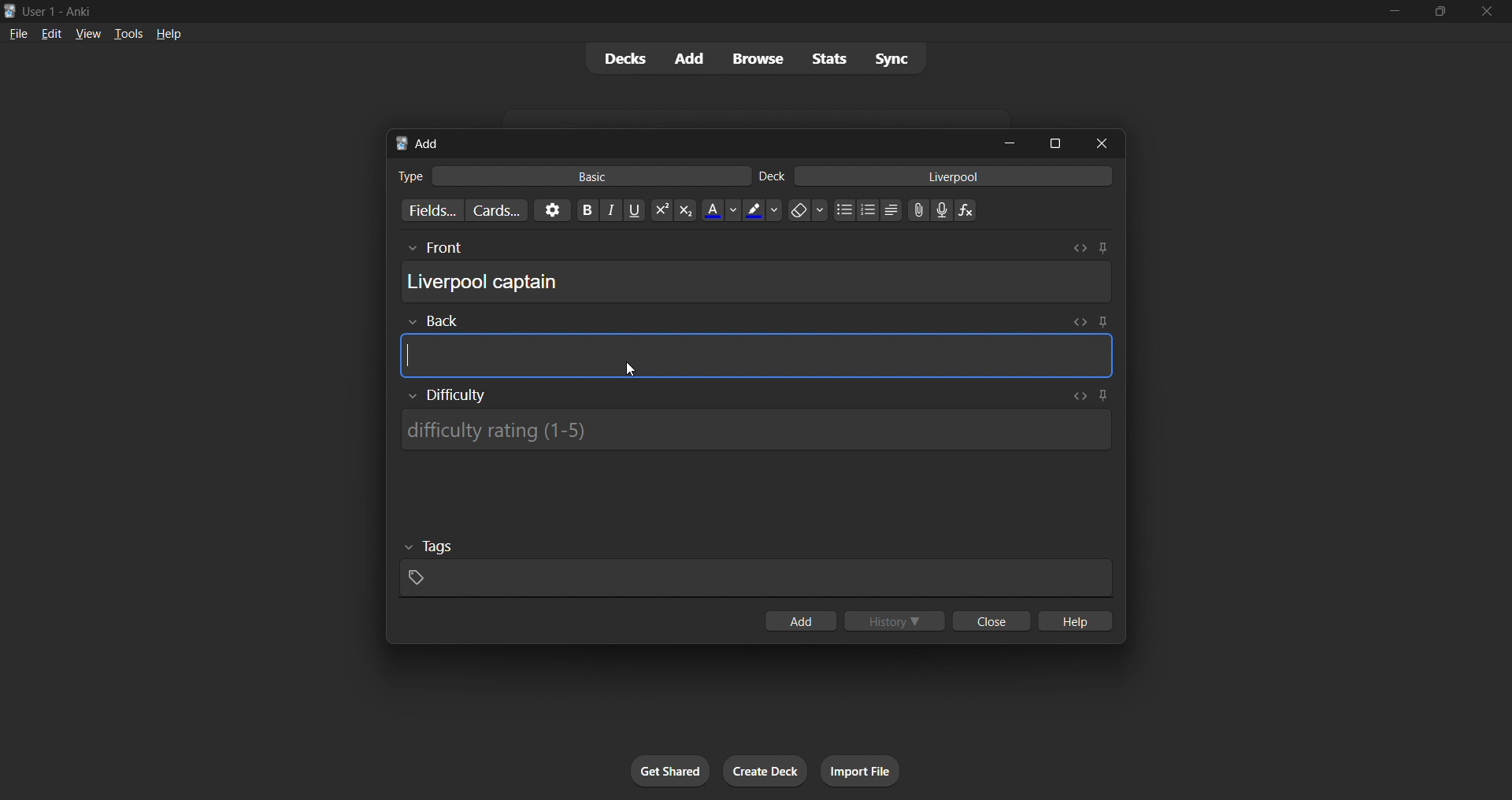 The height and width of the screenshot is (800, 1512). Describe the element at coordinates (434, 249) in the screenshot. I see `` at that location.